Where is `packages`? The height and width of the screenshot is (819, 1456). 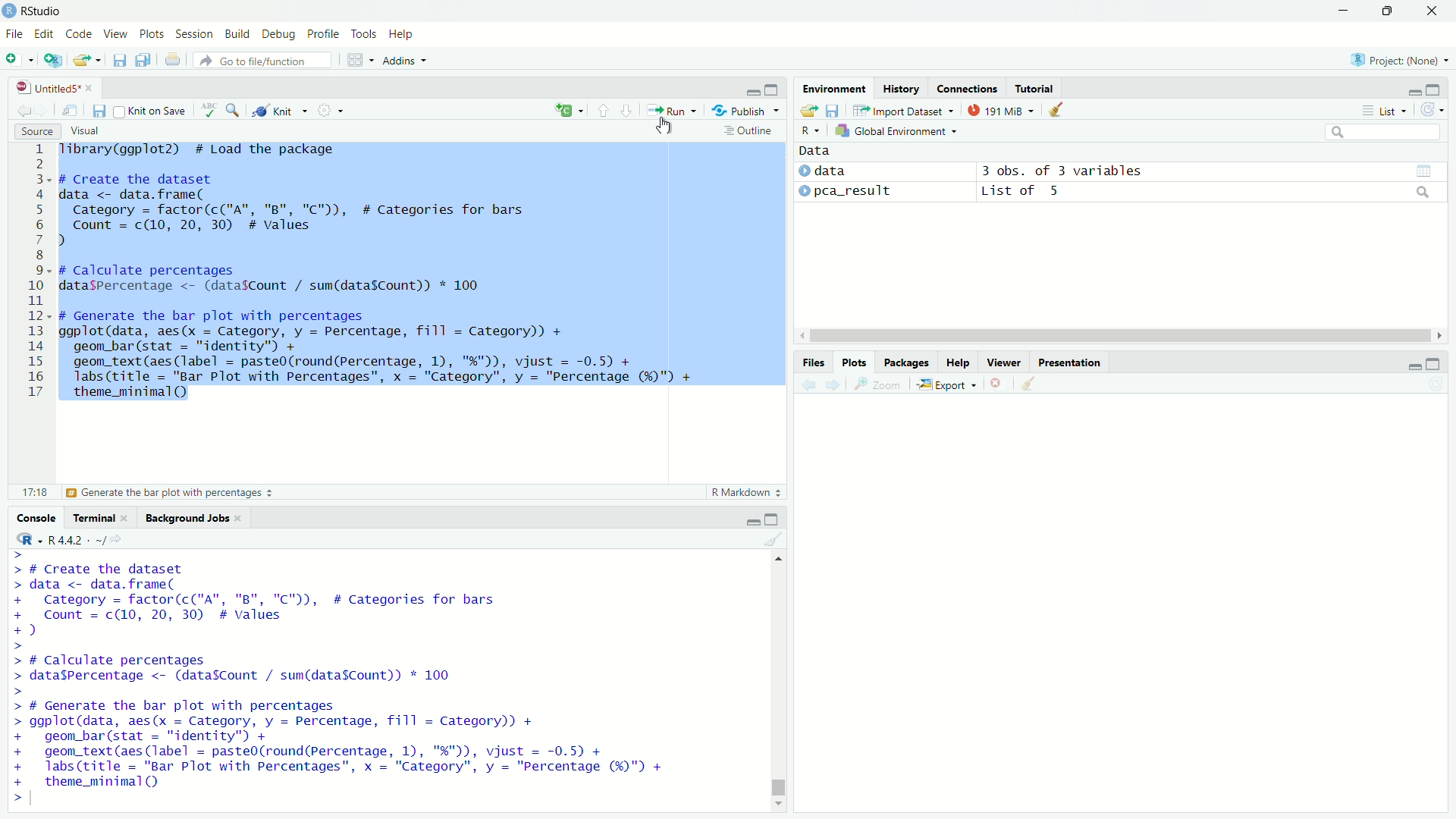
packages is located at coordinates (908, 362).